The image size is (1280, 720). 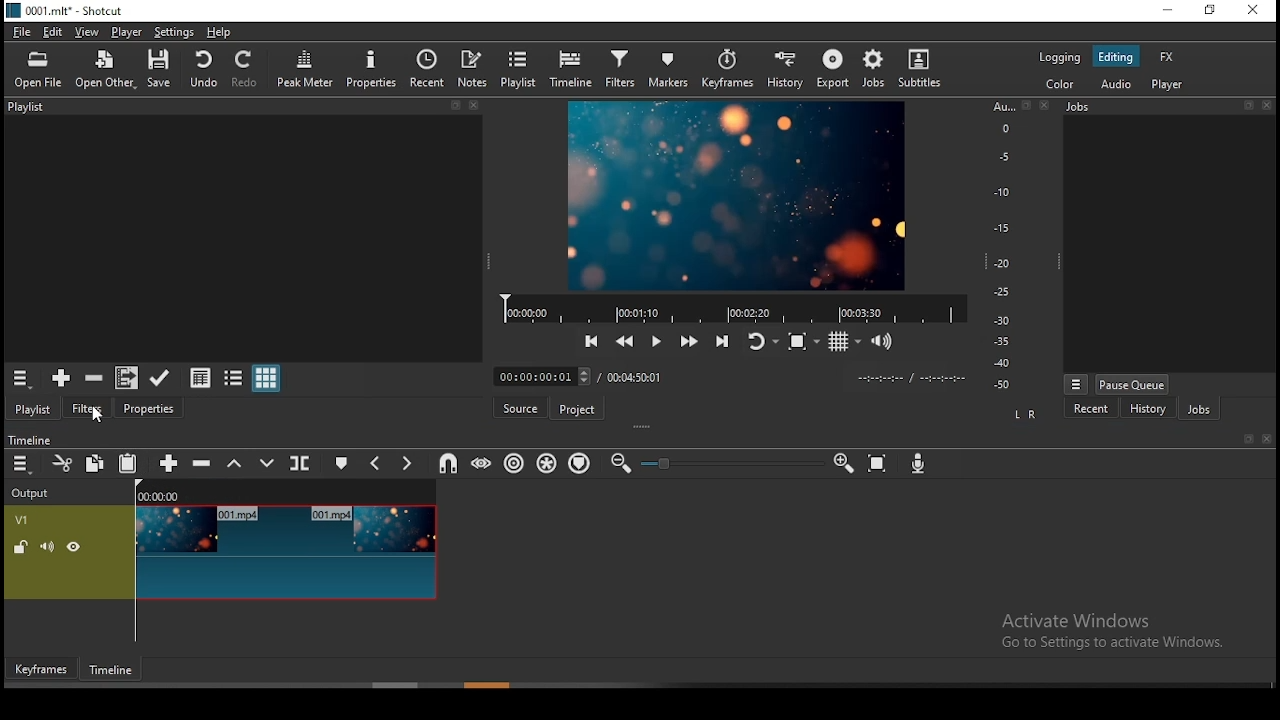 I want to click on zoom timeline In, so click(x=841, y=464).